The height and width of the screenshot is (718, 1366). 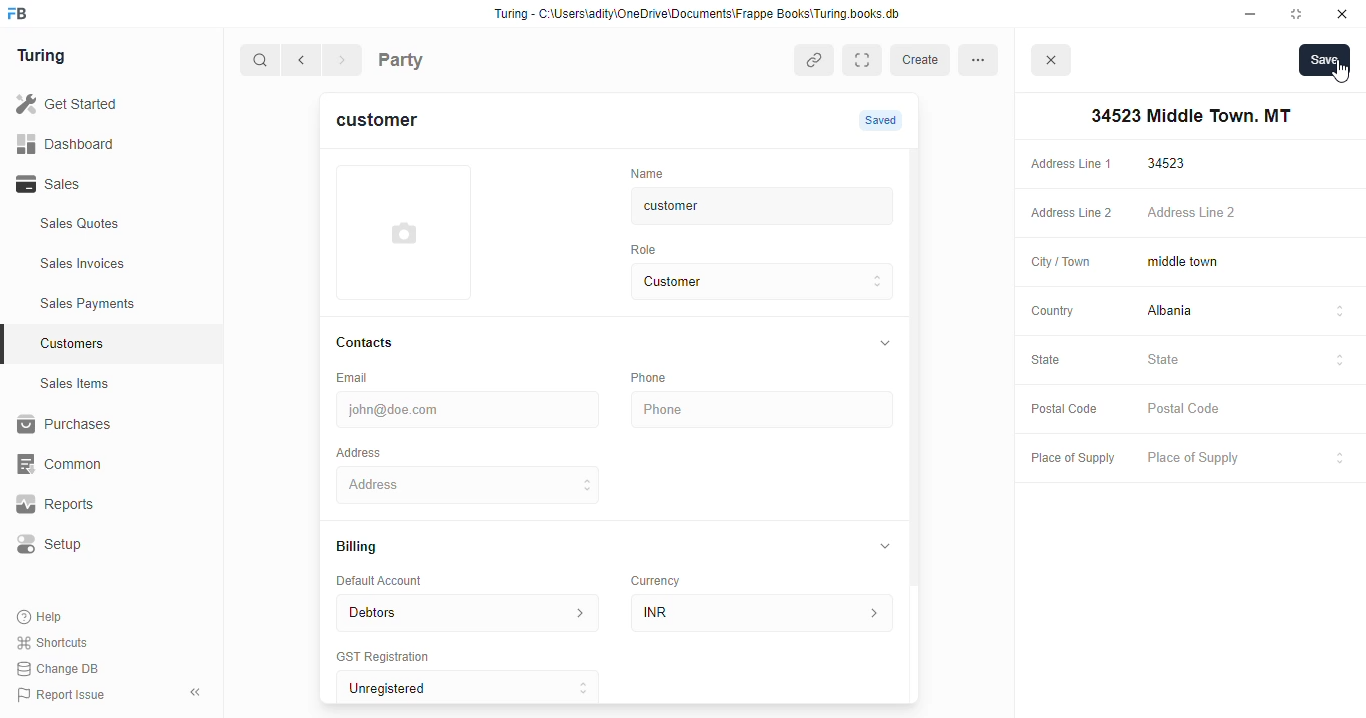 What do you see at coordinates (442, 58) in the screenshot?
I see `Party` at bounding box center [442, 58].